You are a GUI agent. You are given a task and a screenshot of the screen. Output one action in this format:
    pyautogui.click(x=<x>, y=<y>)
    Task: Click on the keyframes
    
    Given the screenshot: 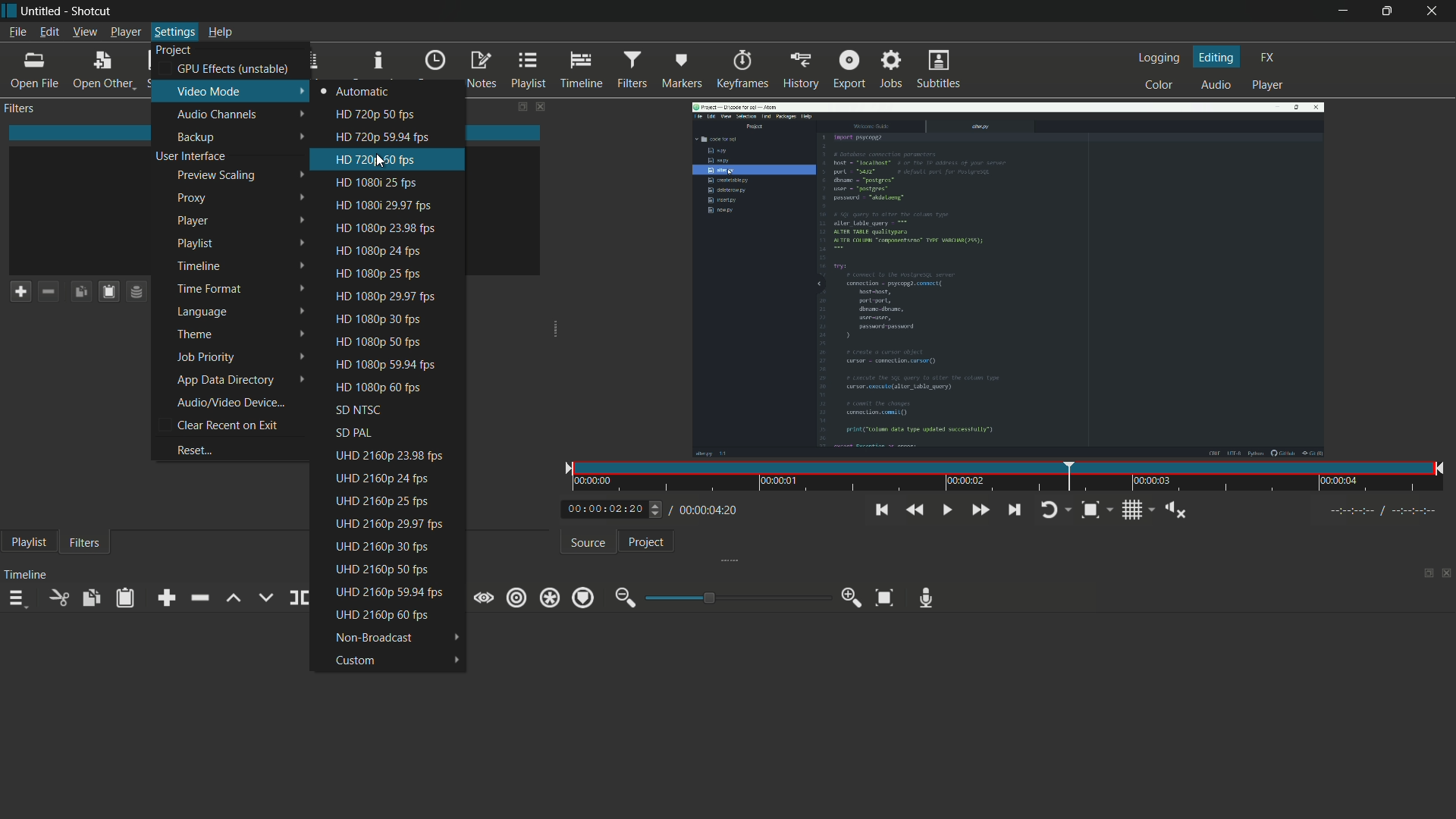 What is the action you would take?
    pyautogui.click(x=741, y=69)
    